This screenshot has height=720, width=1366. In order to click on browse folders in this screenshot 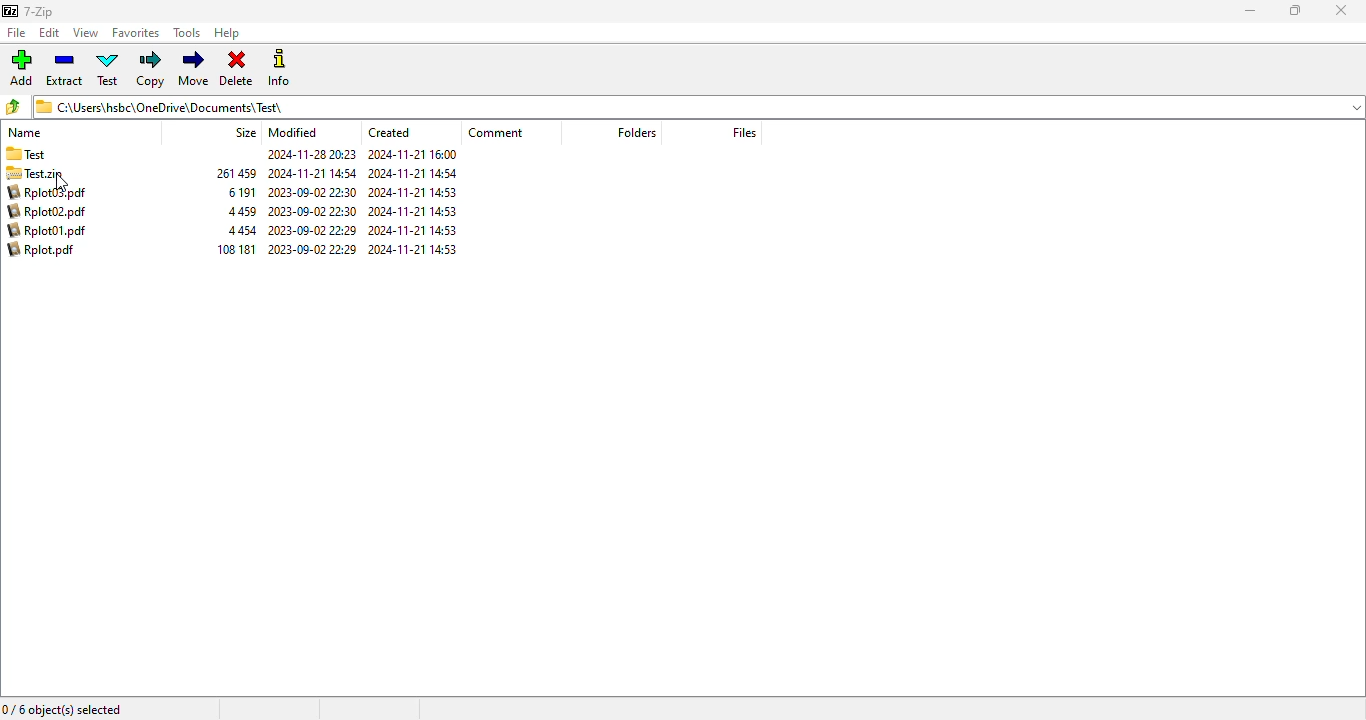, I will do `click(14, 107)`.